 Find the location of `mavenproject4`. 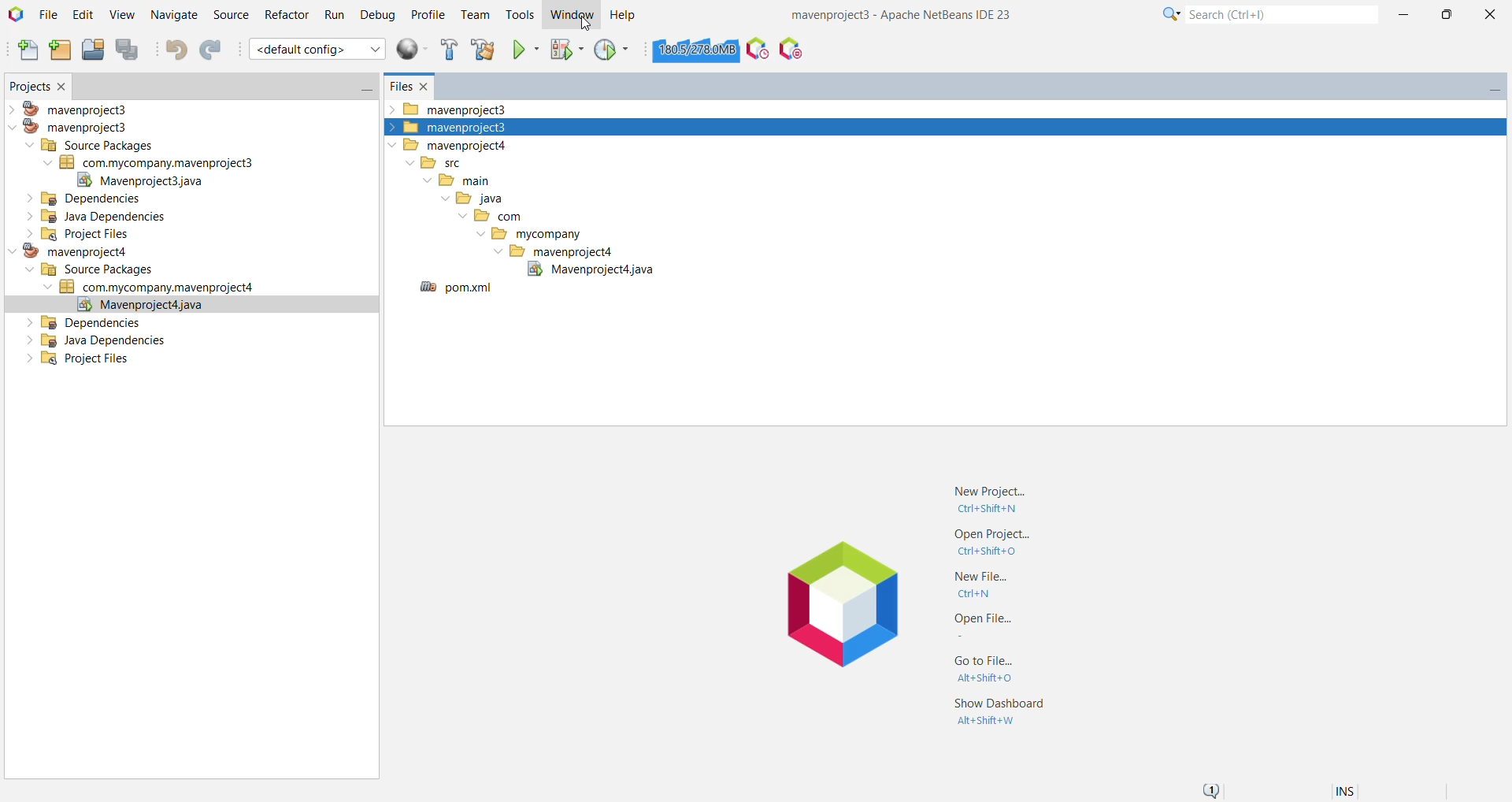

mavenproject4 is located at coordinates (66, 253).